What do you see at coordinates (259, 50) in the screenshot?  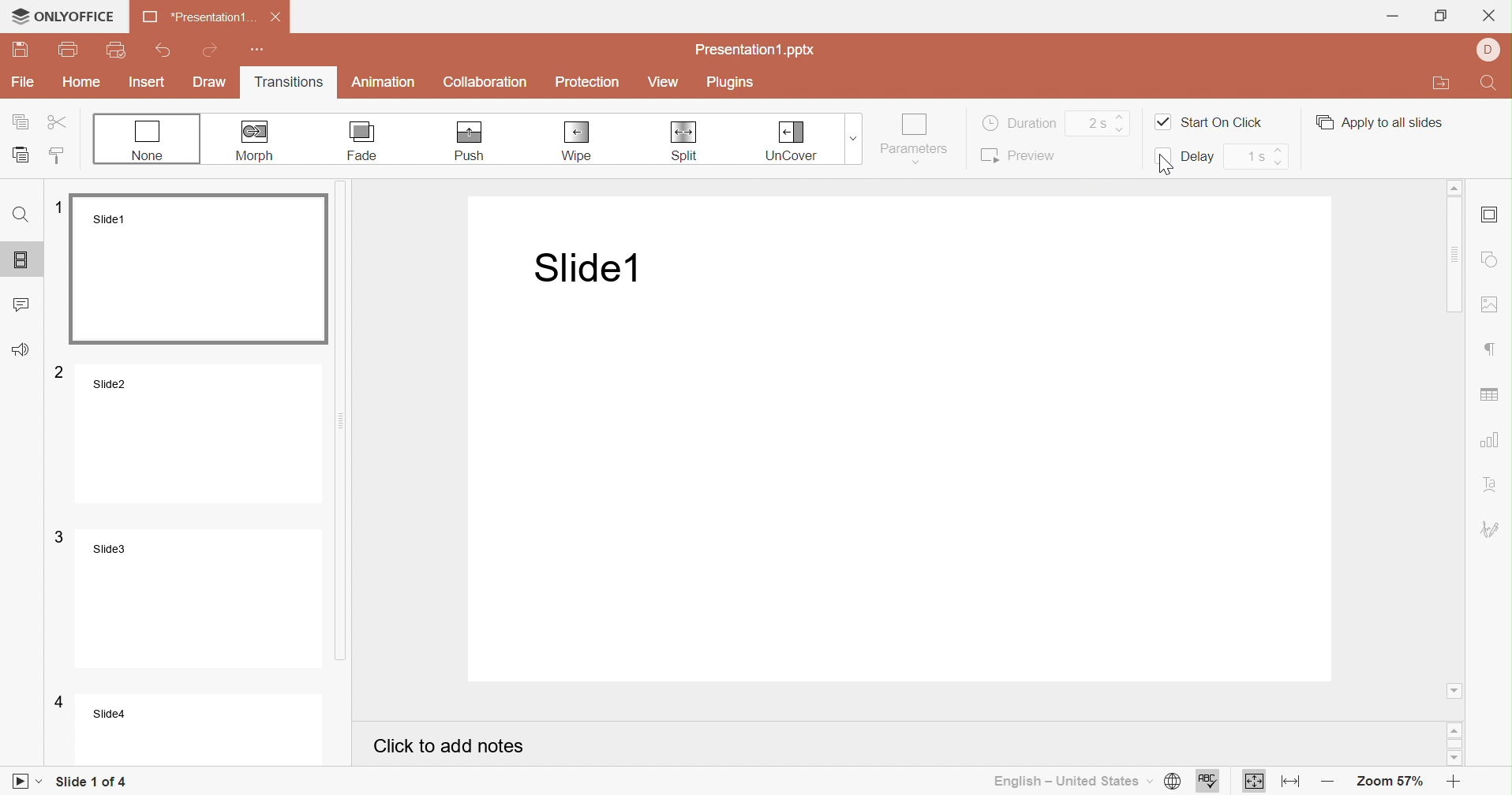 I see `Customize Quick Access Toolbar` at bounding box center [259, 50].